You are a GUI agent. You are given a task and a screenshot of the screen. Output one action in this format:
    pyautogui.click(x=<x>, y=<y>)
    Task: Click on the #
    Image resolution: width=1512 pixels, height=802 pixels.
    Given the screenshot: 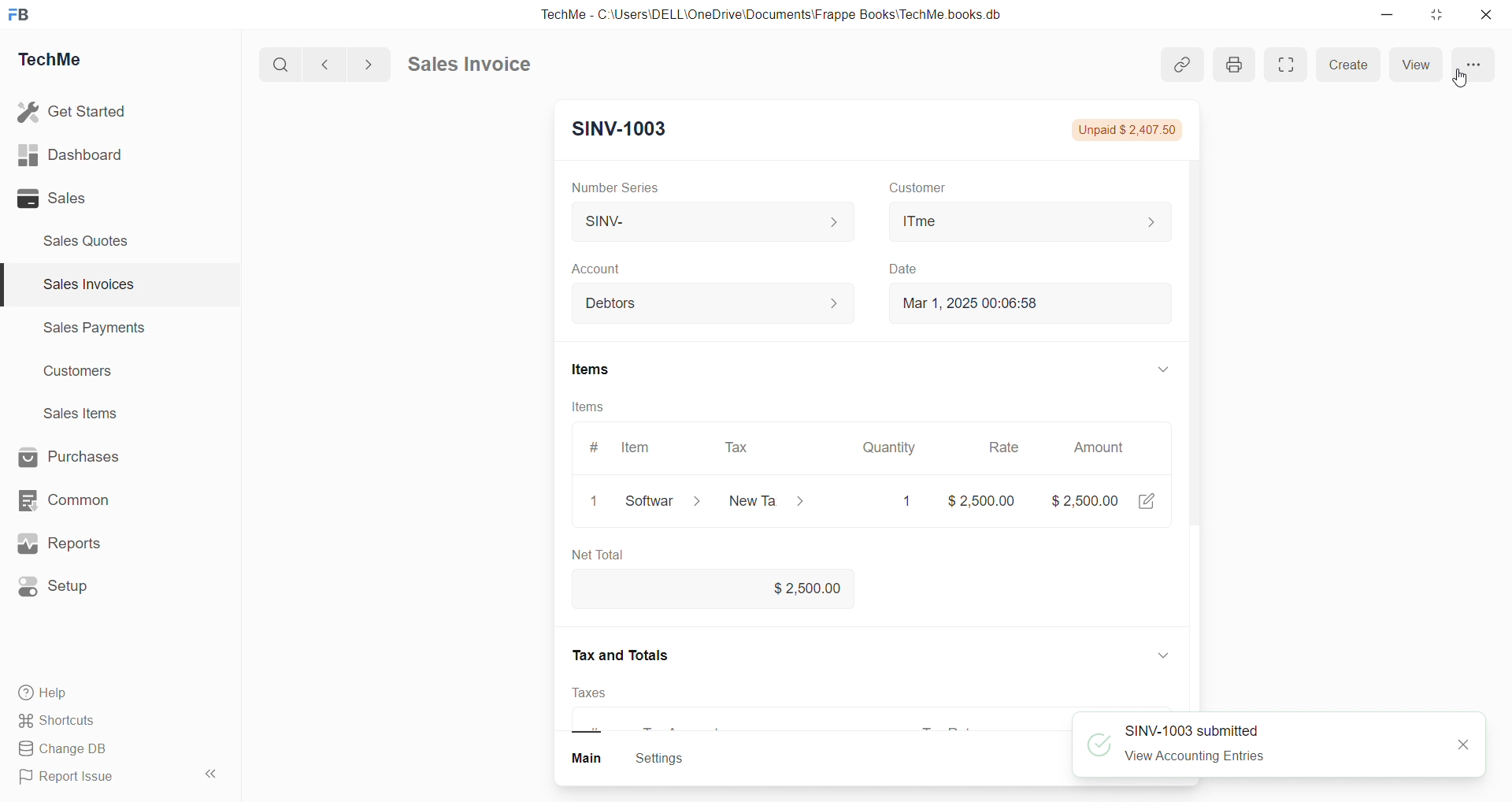 What is the action you would take?
    pyautogui.click(x=599, y=444)
    